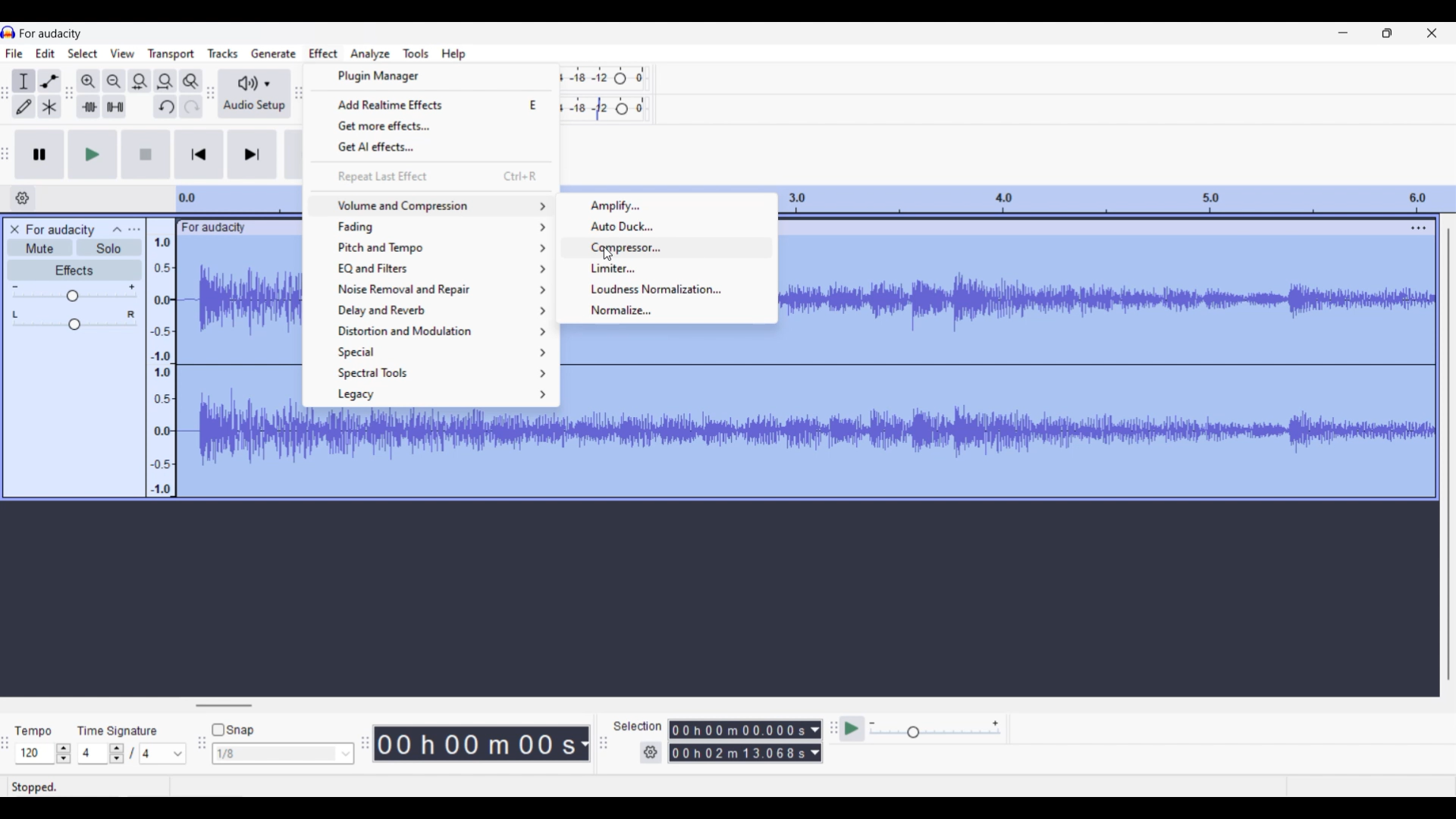 Image resolution: width=1456 pixels, height=819 pixels. I want to click on View menu, so click(122, 53).